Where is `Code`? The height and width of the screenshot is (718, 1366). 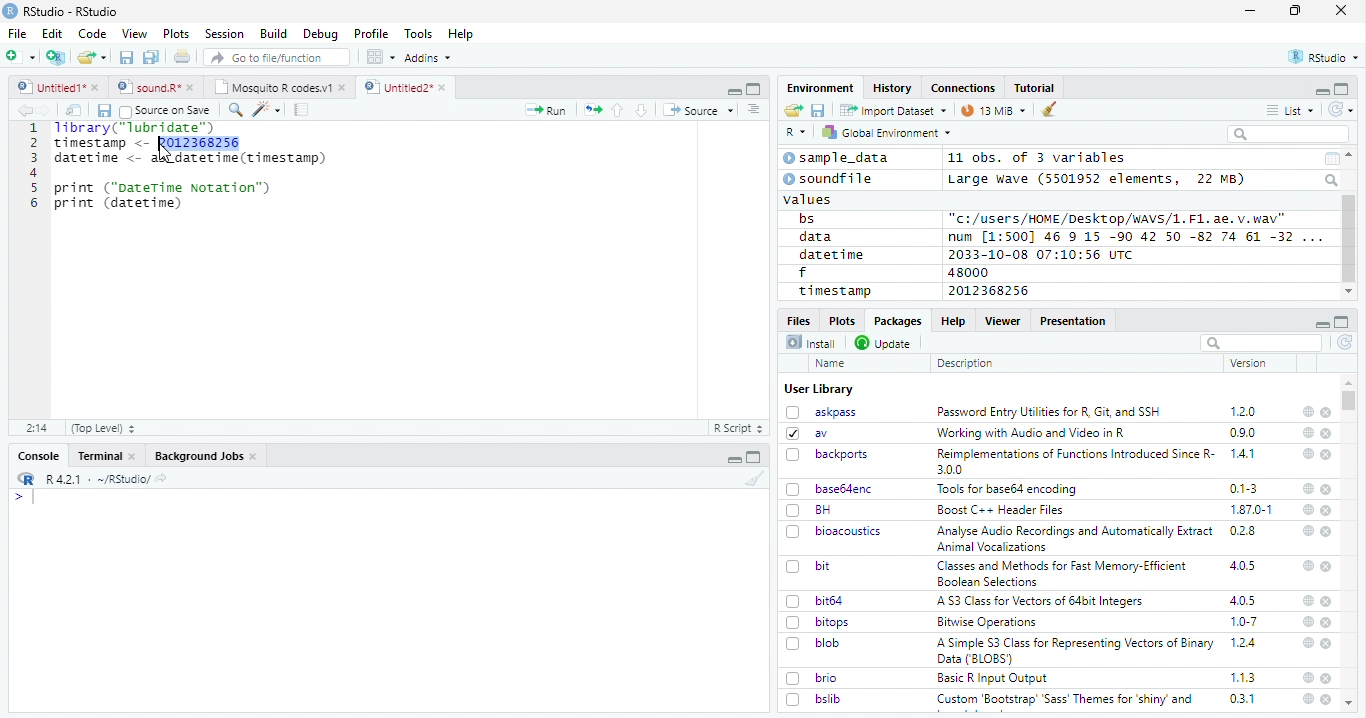
Code is located at coordinates (91, 34).